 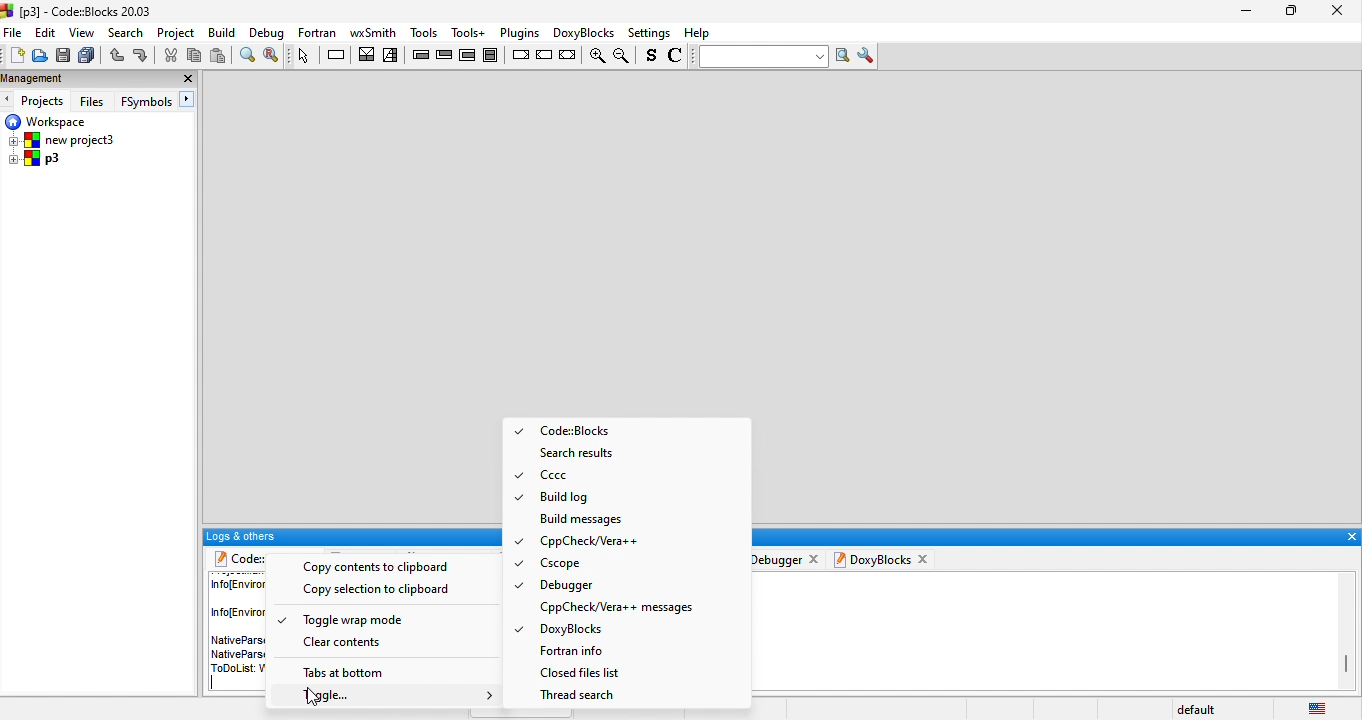 I want to click on FSymbols, so click(x=146, y=102).